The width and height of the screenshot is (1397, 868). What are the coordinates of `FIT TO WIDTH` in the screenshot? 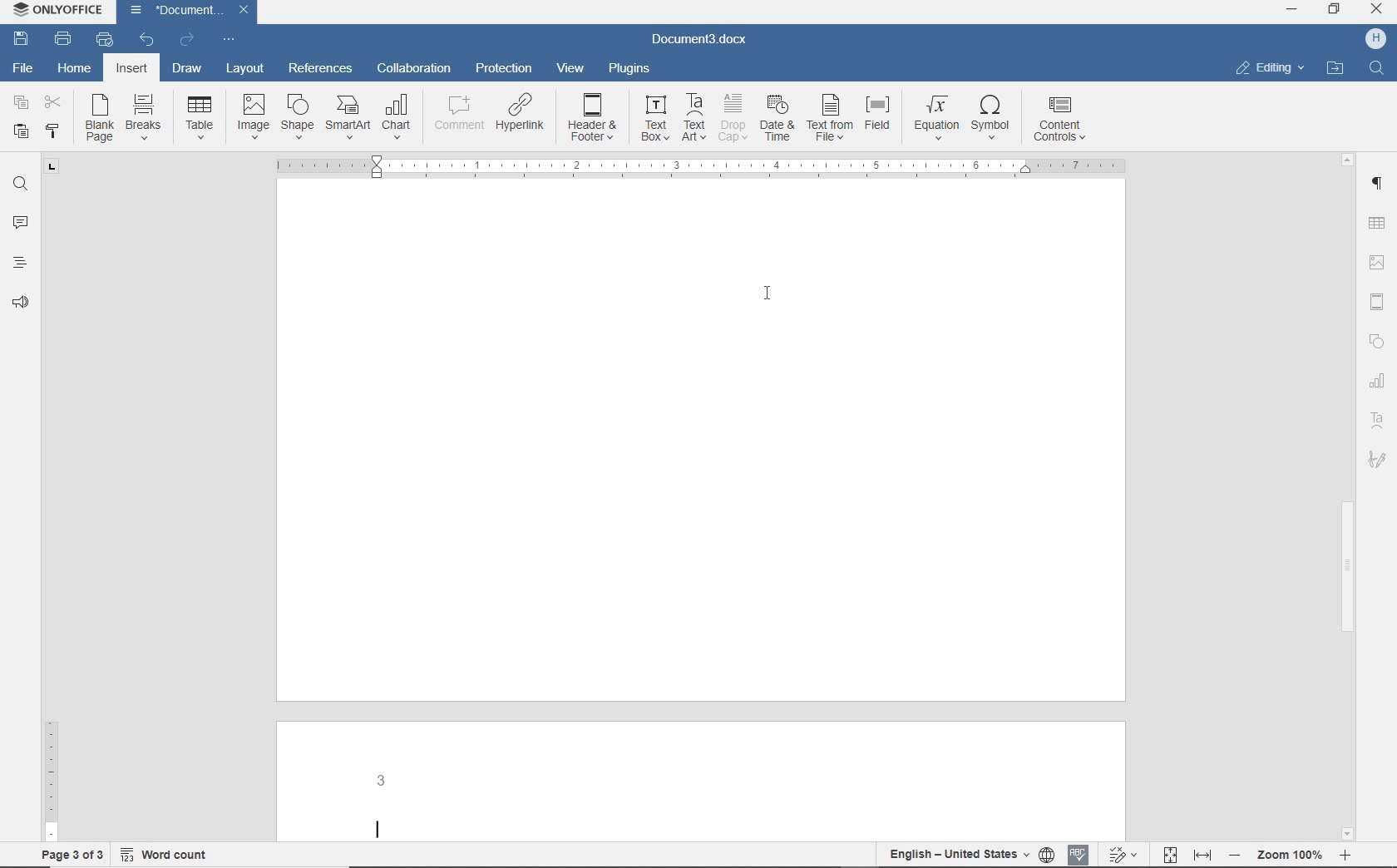 It's located at (1202, 855).